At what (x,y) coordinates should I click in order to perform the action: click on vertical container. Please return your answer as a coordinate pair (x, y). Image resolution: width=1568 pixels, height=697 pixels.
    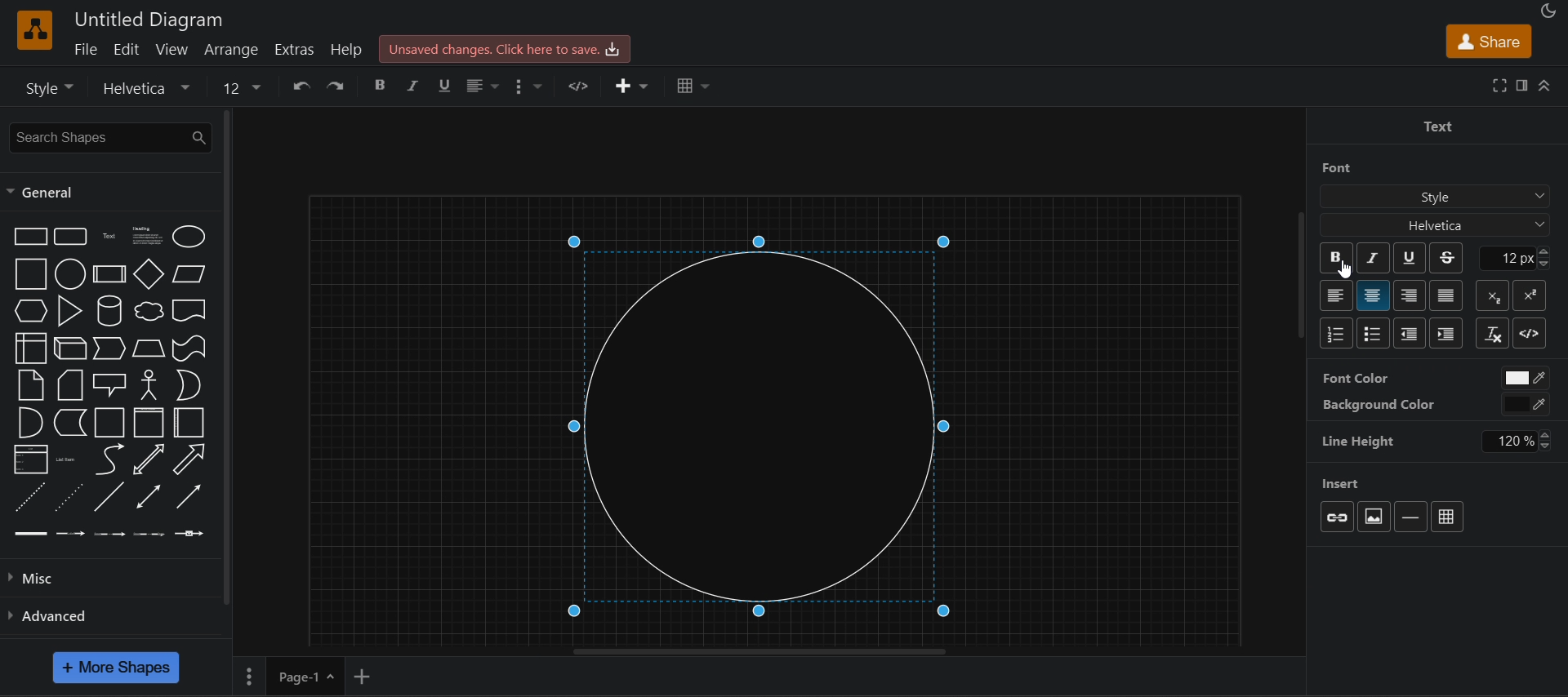
    Looking at the image, I should click on (151, 422).